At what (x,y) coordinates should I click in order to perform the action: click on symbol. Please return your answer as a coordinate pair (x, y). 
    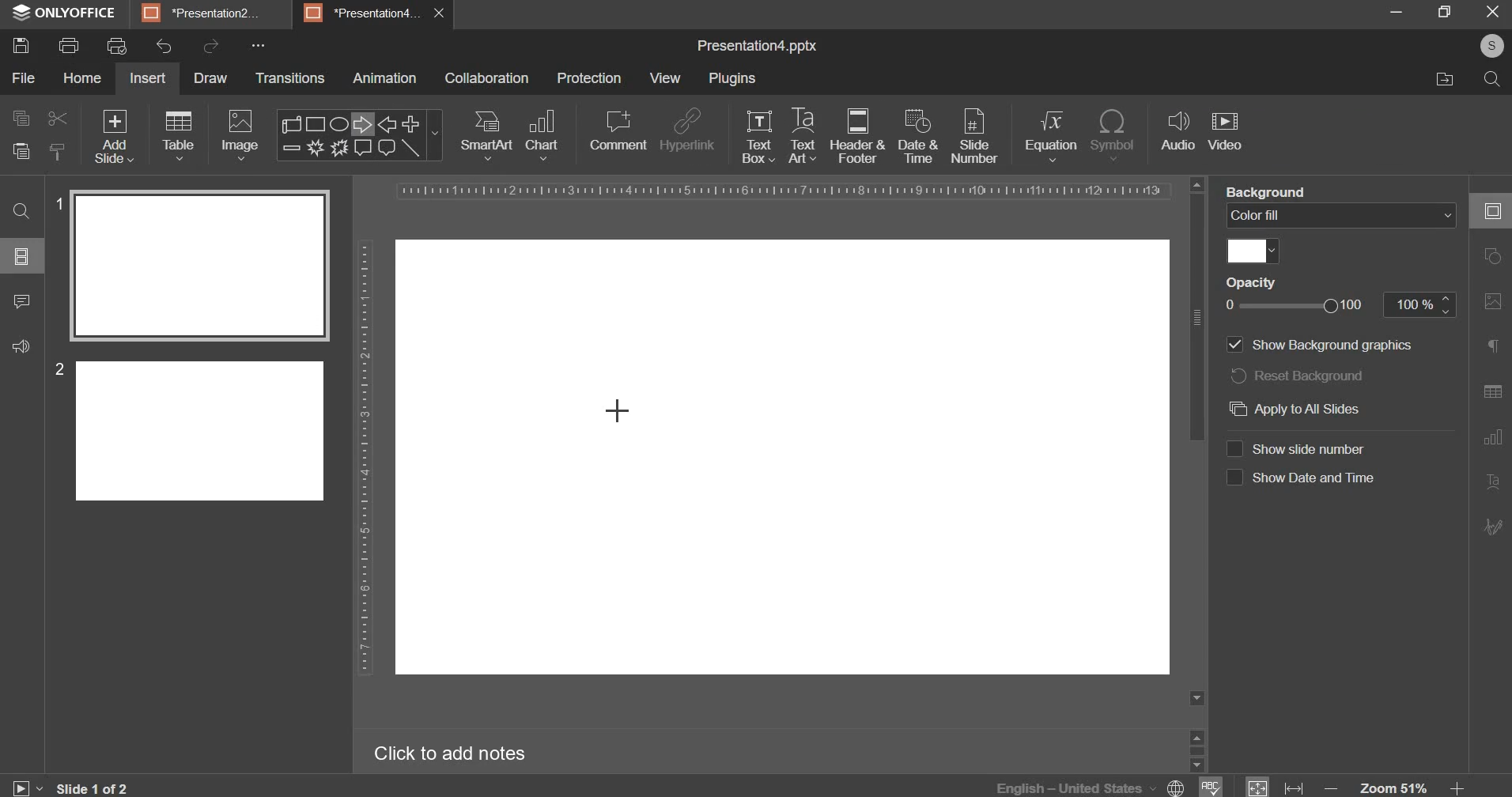
    Looking at the image, I should click on (1114, 133).